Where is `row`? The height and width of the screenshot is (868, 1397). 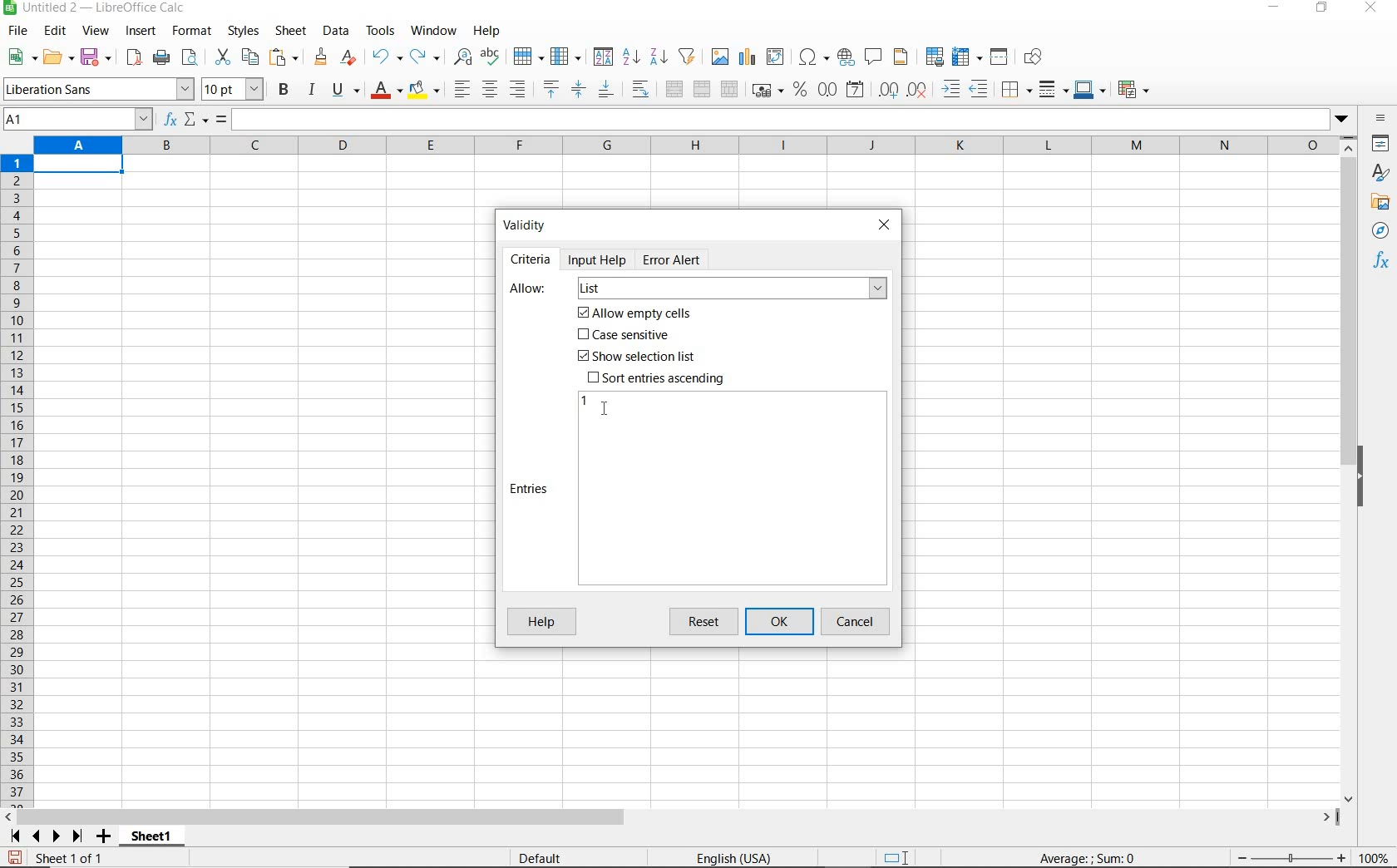
row is located at coordinates (528, 57).